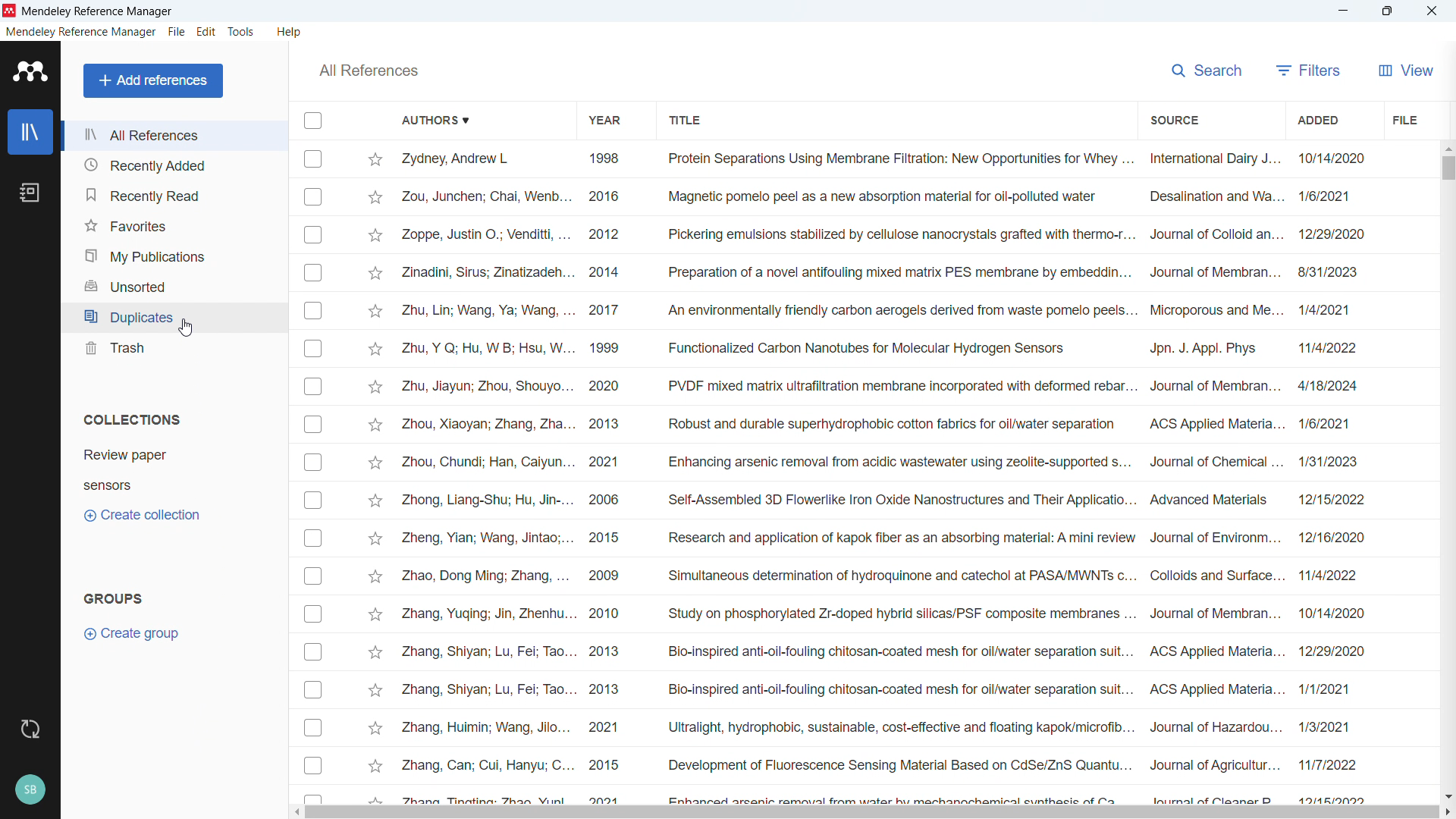 Image resolution: width=1456 pixels, height=819 pixels. I want to click on Add references, so click(154, 81).